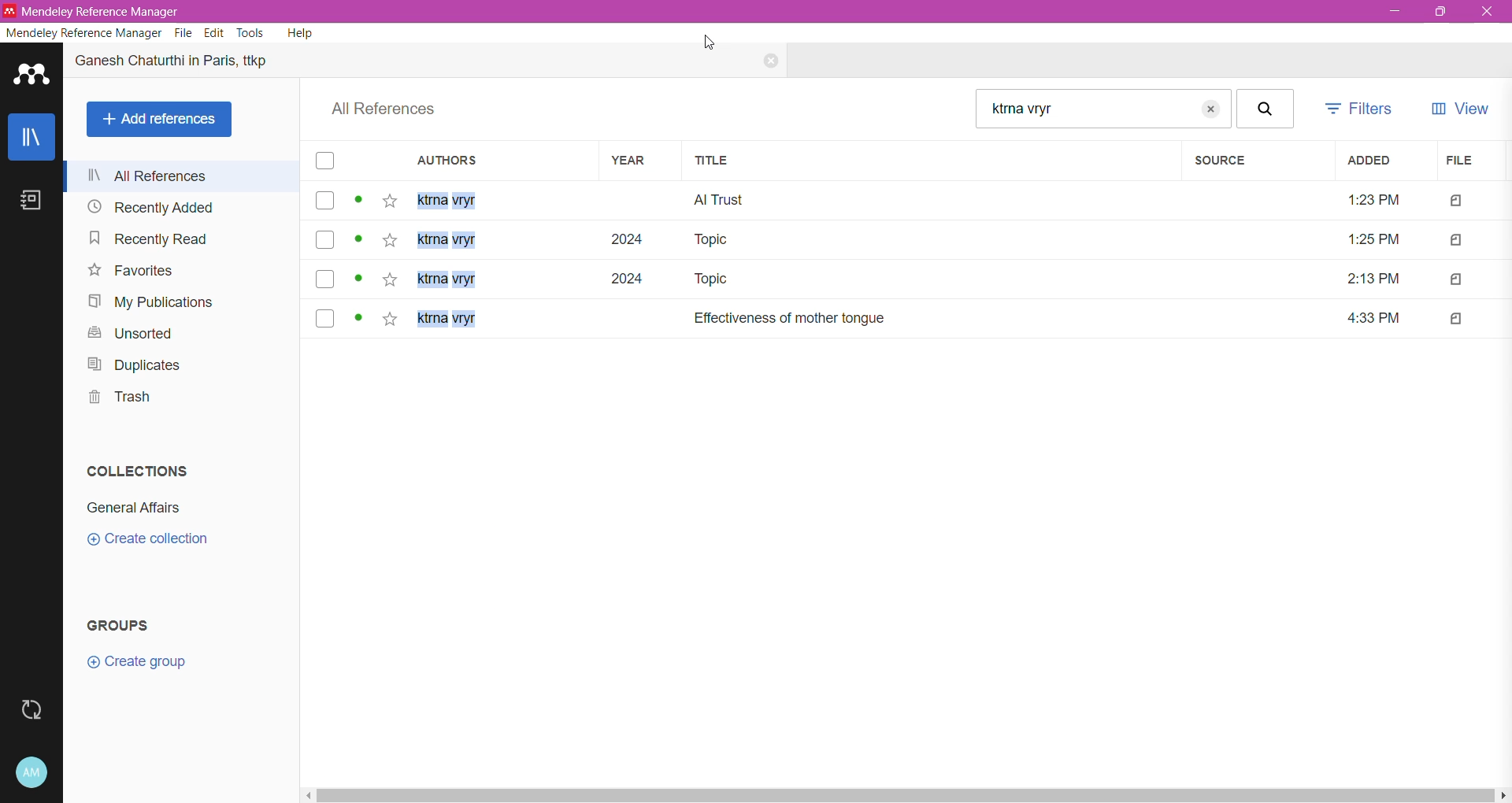  What do you see at coordinates (1451, 202) in the screenshot?
I see `file type` at bounding box center [1451, 202].